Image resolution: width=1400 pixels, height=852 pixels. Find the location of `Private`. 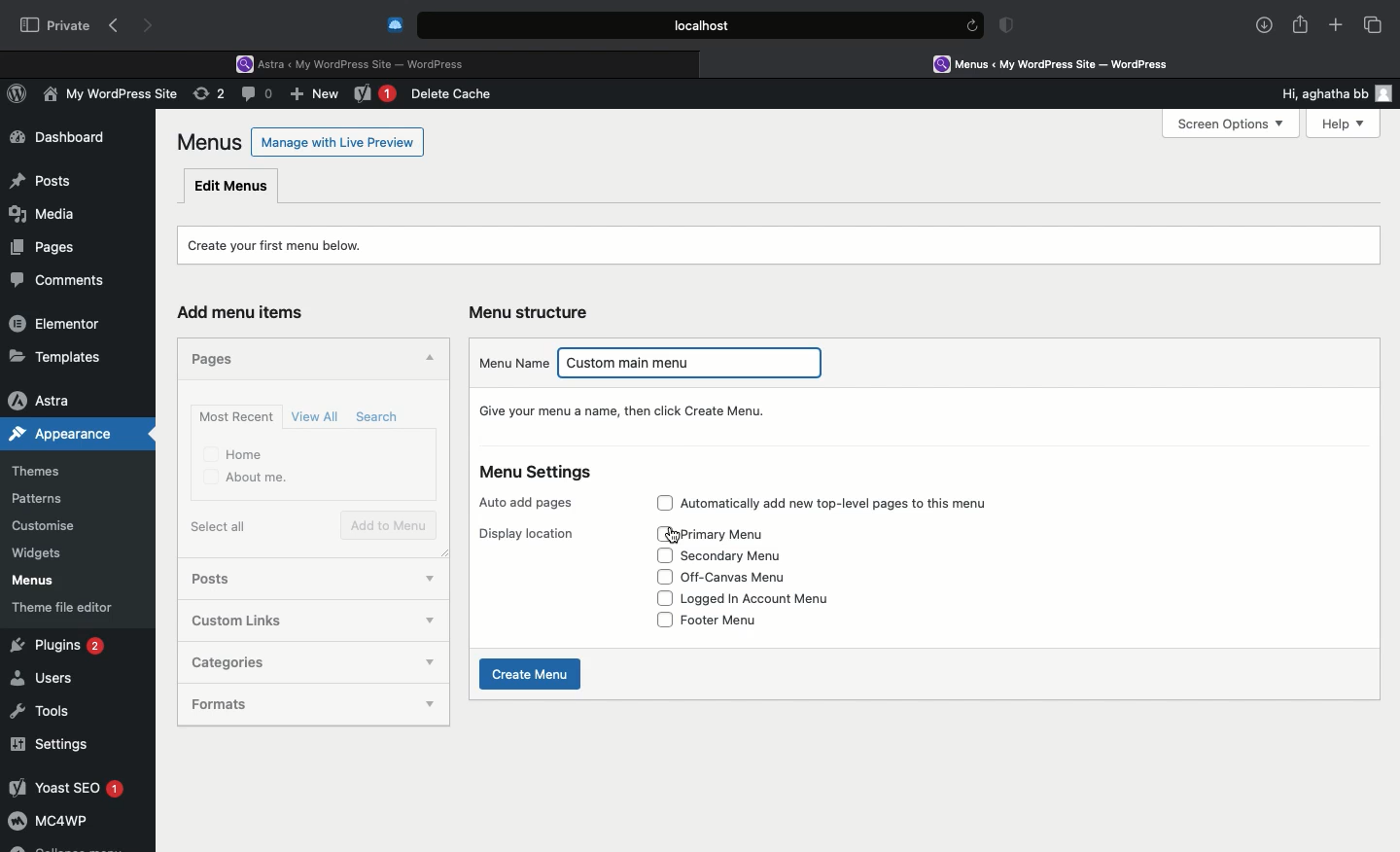

Private is located at coordinates (55, 24).